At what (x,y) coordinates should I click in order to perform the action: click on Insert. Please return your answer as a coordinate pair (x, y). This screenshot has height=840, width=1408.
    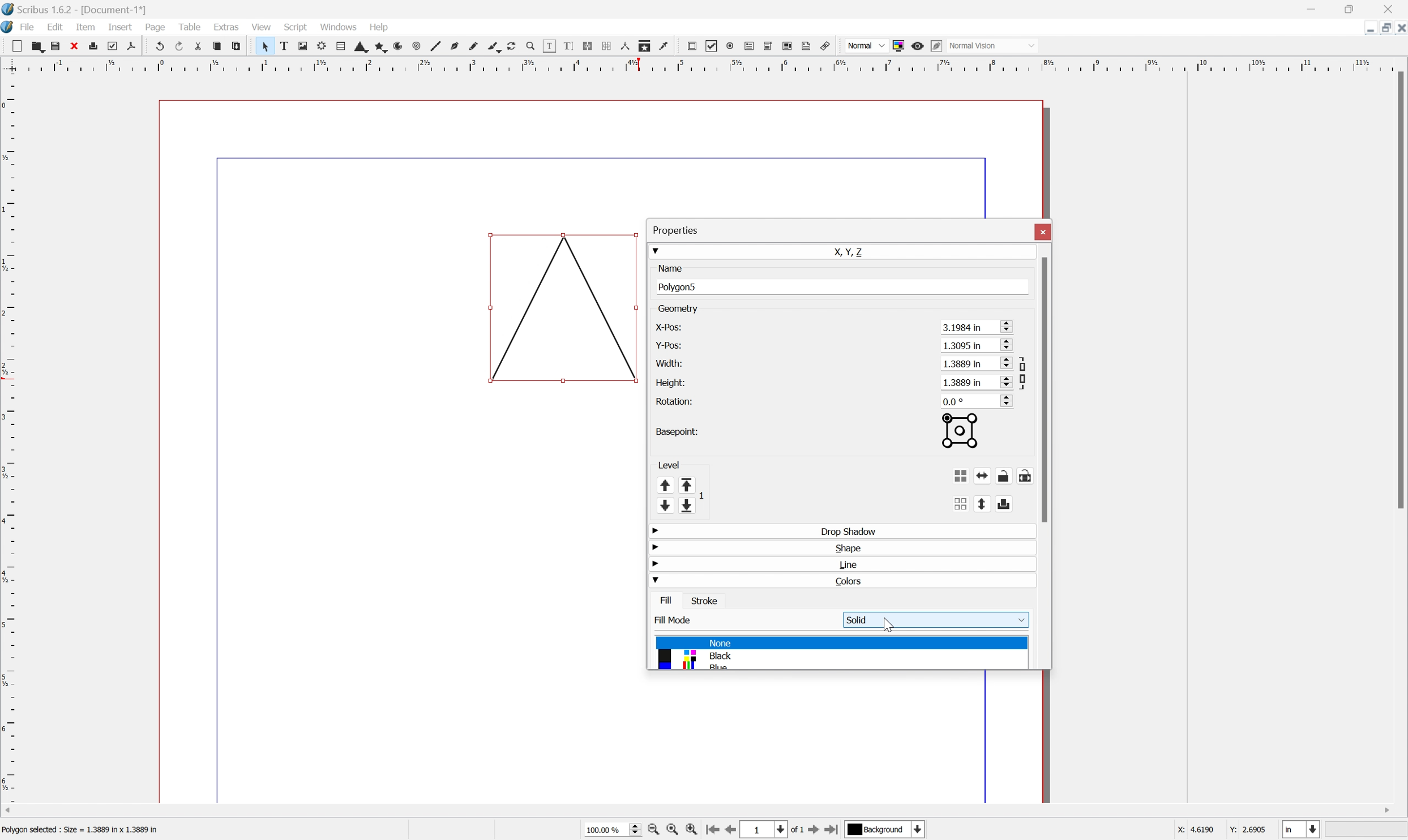
    Looking at the image, I should click on (121, 27).